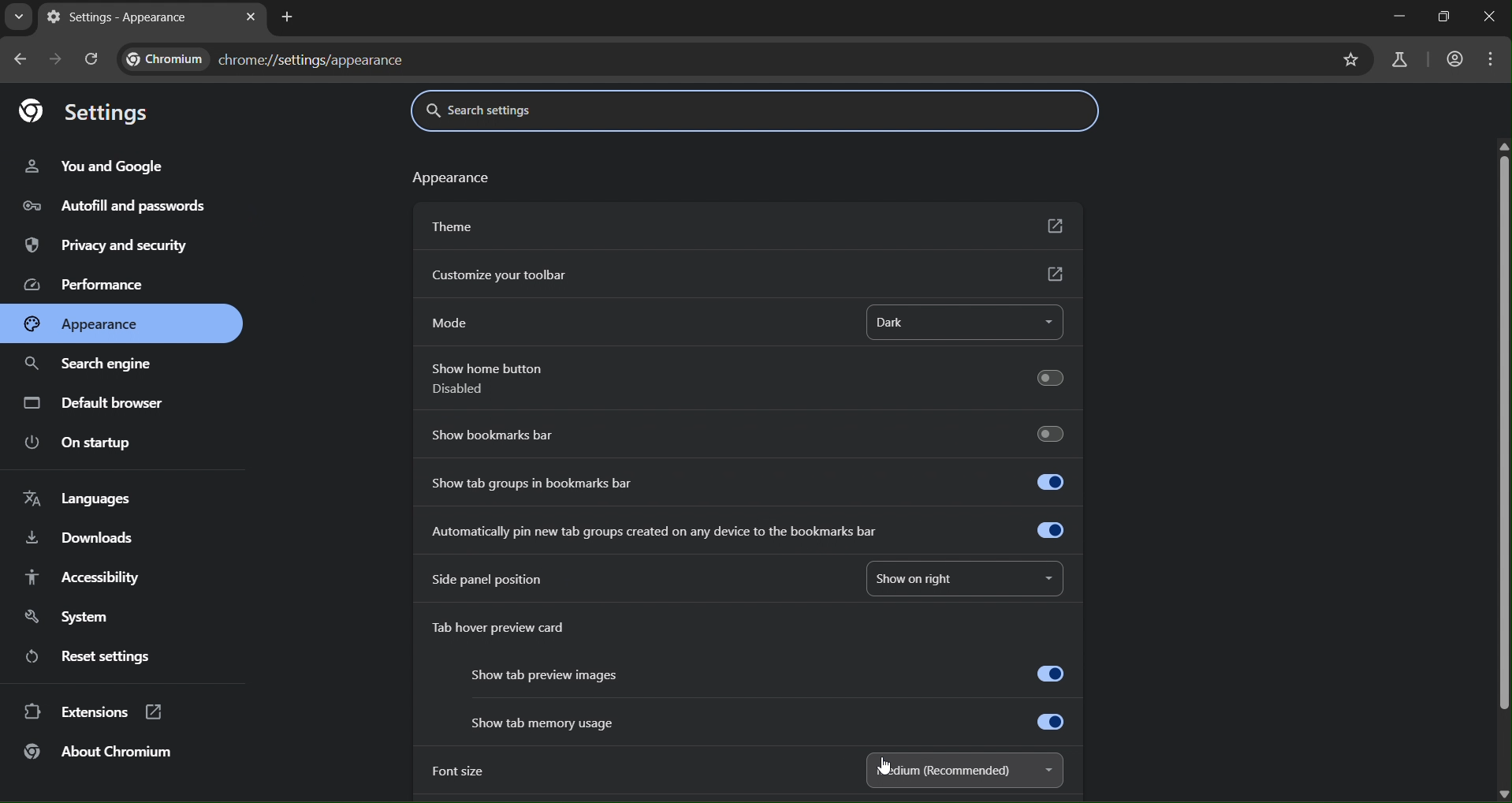  I want to click on on startup, so click(88, 444).